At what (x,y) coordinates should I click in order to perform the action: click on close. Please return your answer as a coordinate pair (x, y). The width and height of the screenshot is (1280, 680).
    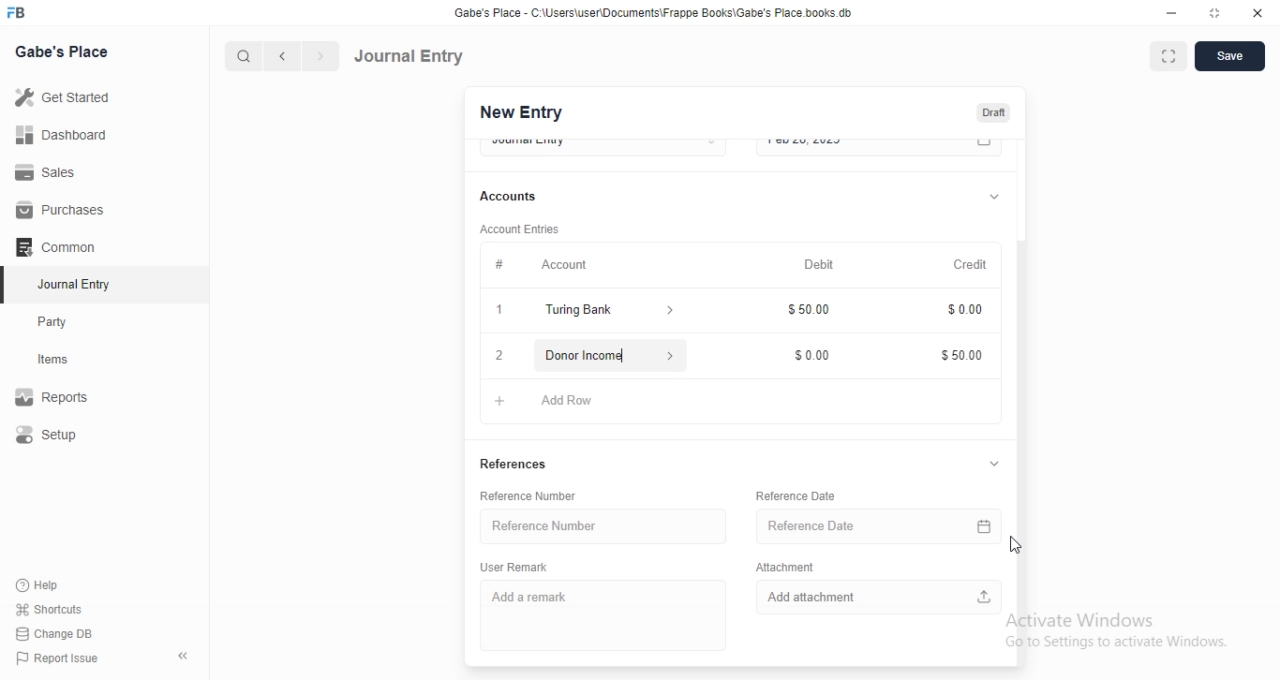
    Looking at the image, I should click on (498, 355).